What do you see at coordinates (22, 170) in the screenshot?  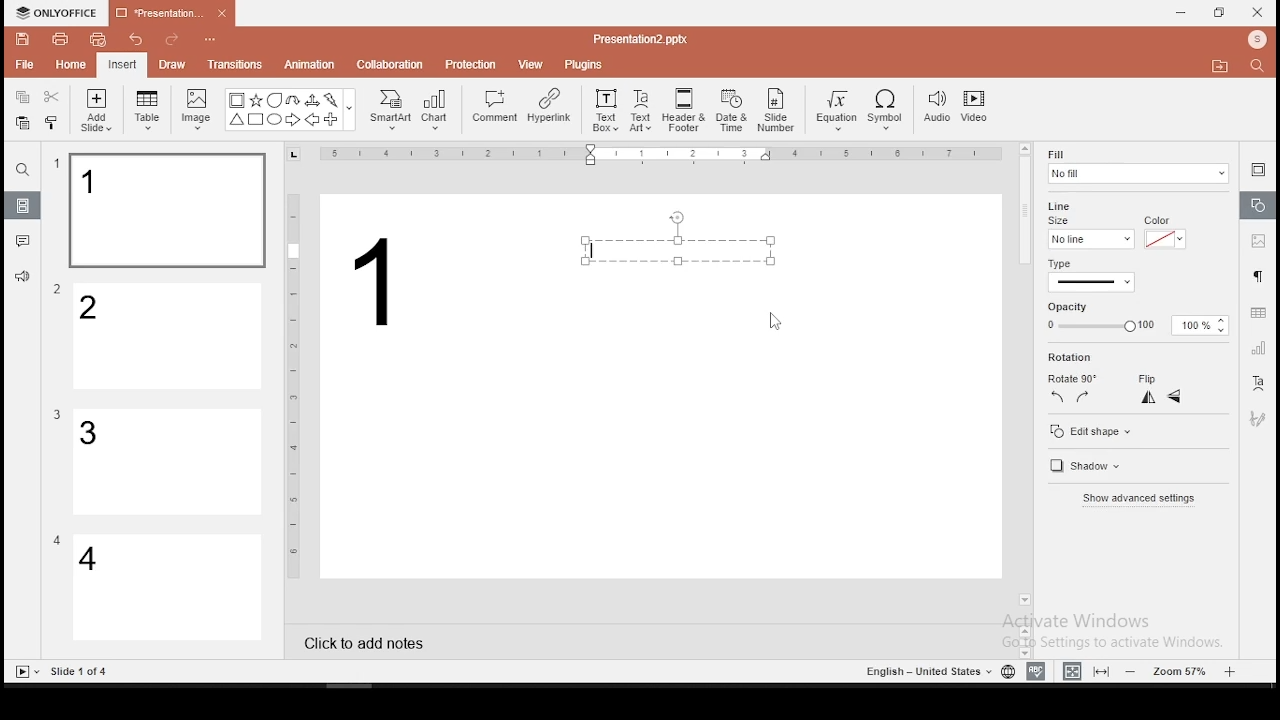 I see `find` at bounding box center [22, 170].